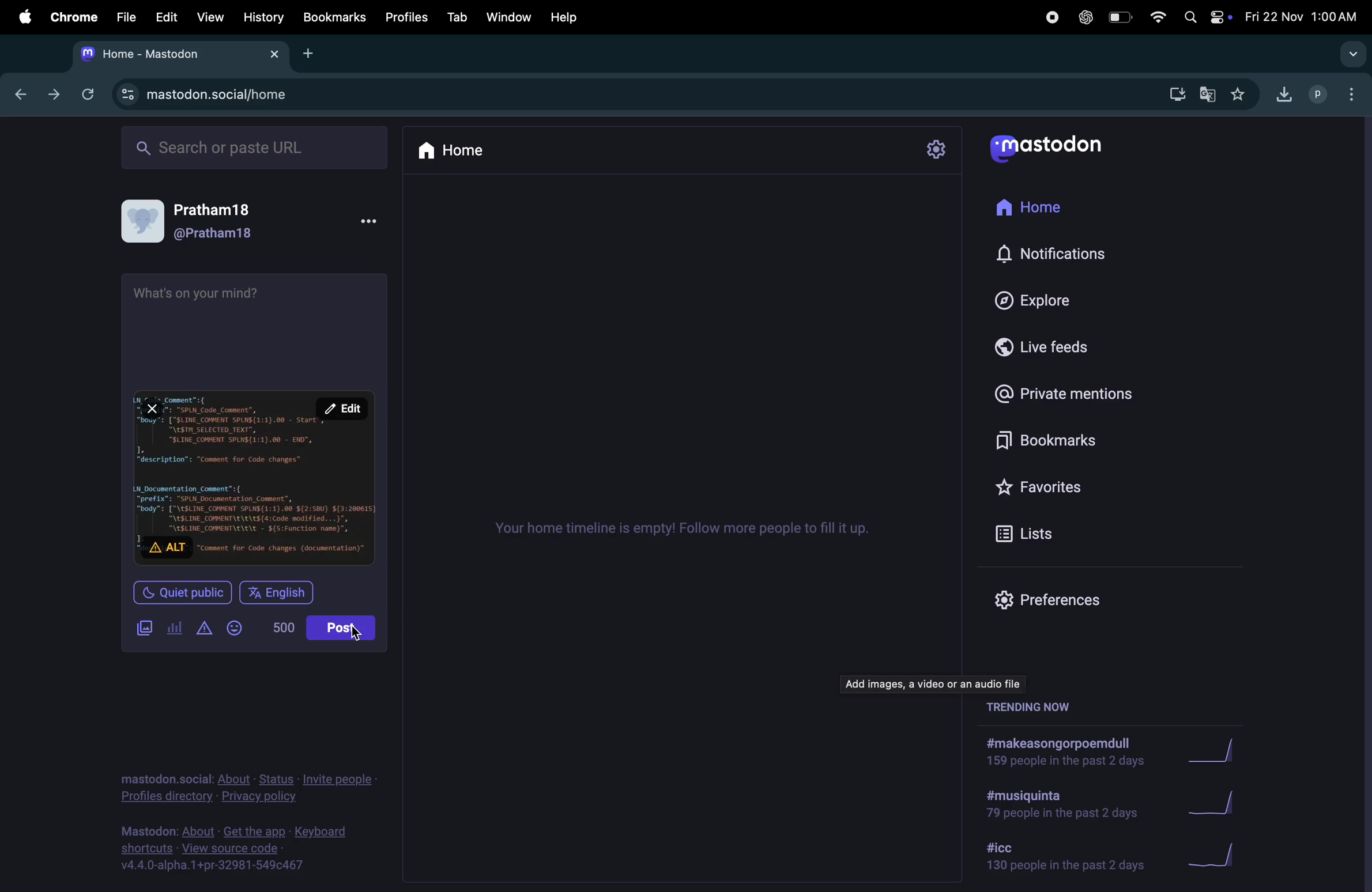 The height and width of the screenshot is (892, 1372). I want to click on time line, so click(687, 530).